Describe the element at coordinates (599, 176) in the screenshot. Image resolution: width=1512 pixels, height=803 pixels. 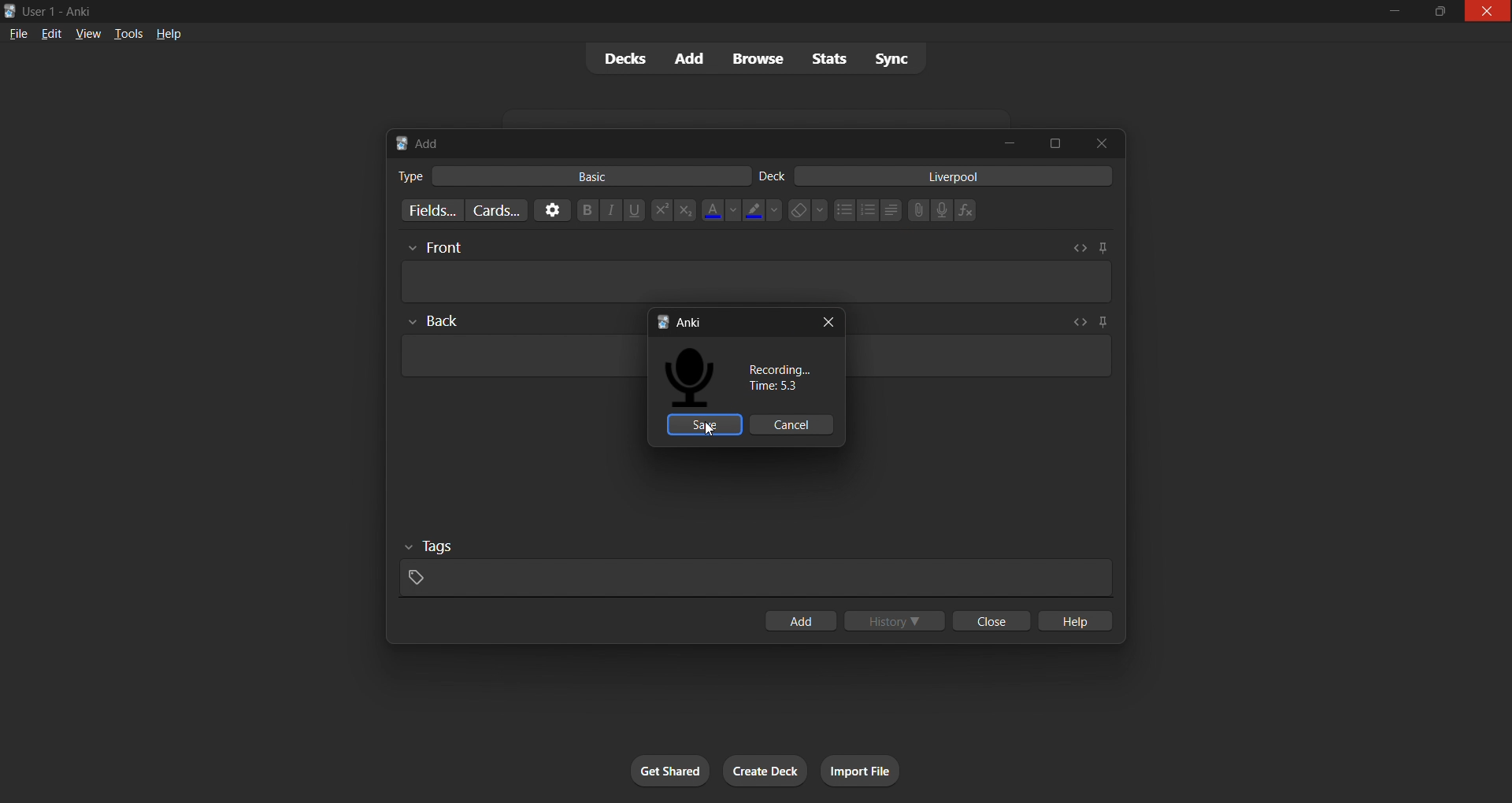
I see `basic card type` at that location.